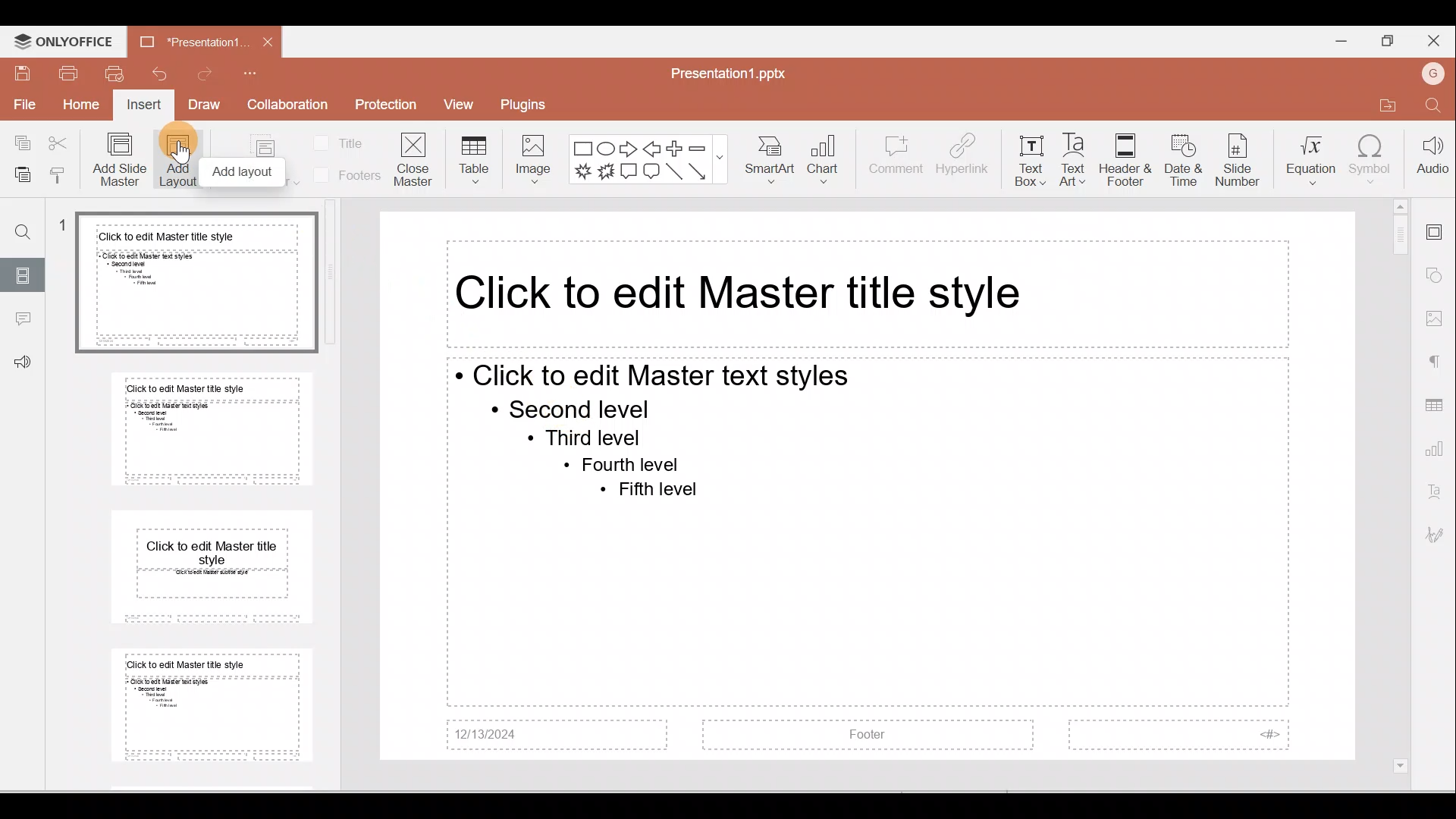 The height and width of the screenshot is (819, 1456). Describe the element at coordinates (606, 147) in the screenshot. I see `Ellipse` at that location.